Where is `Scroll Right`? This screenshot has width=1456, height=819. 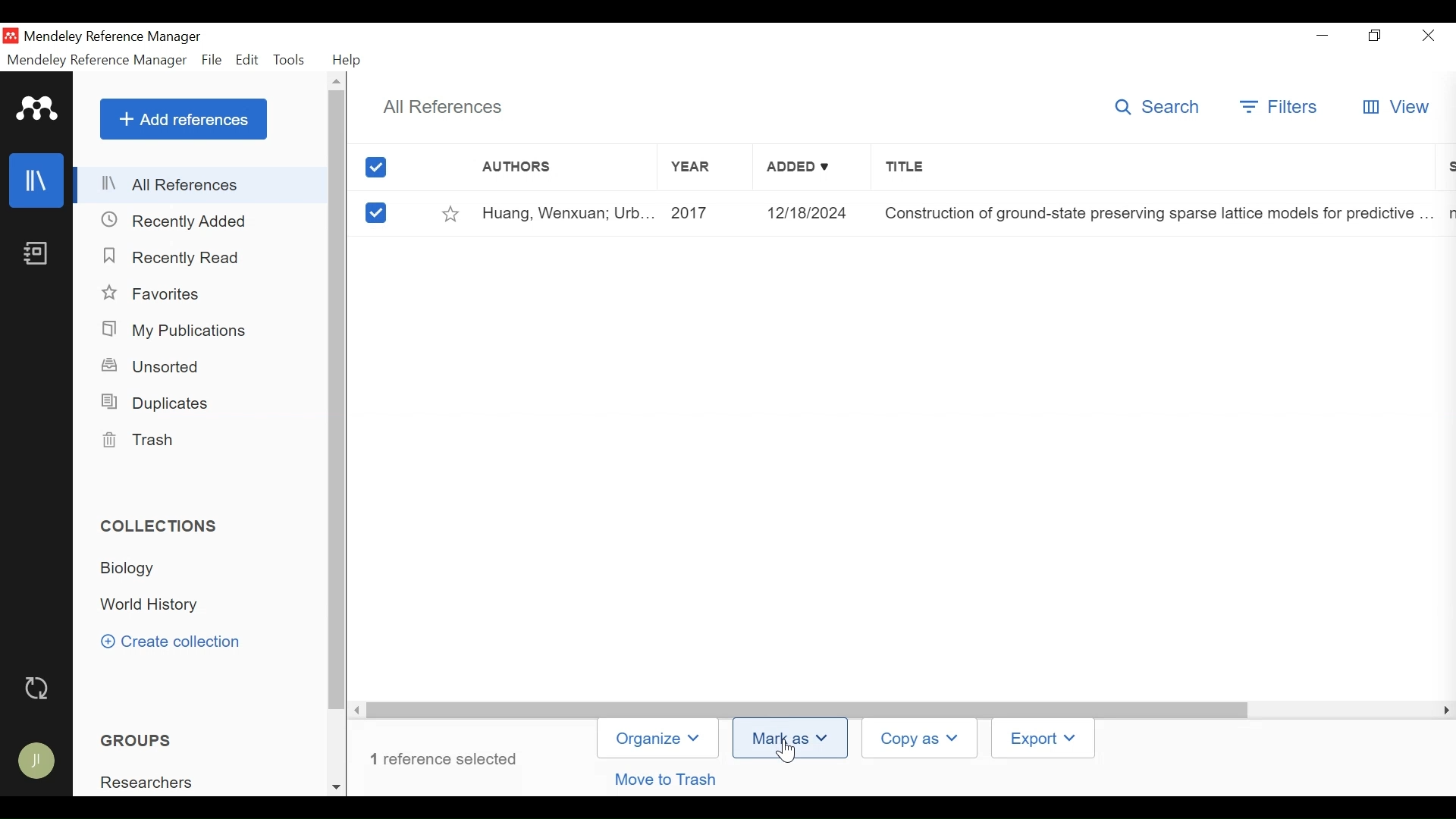
Scroll Right is located at coordinates (1447, 711).